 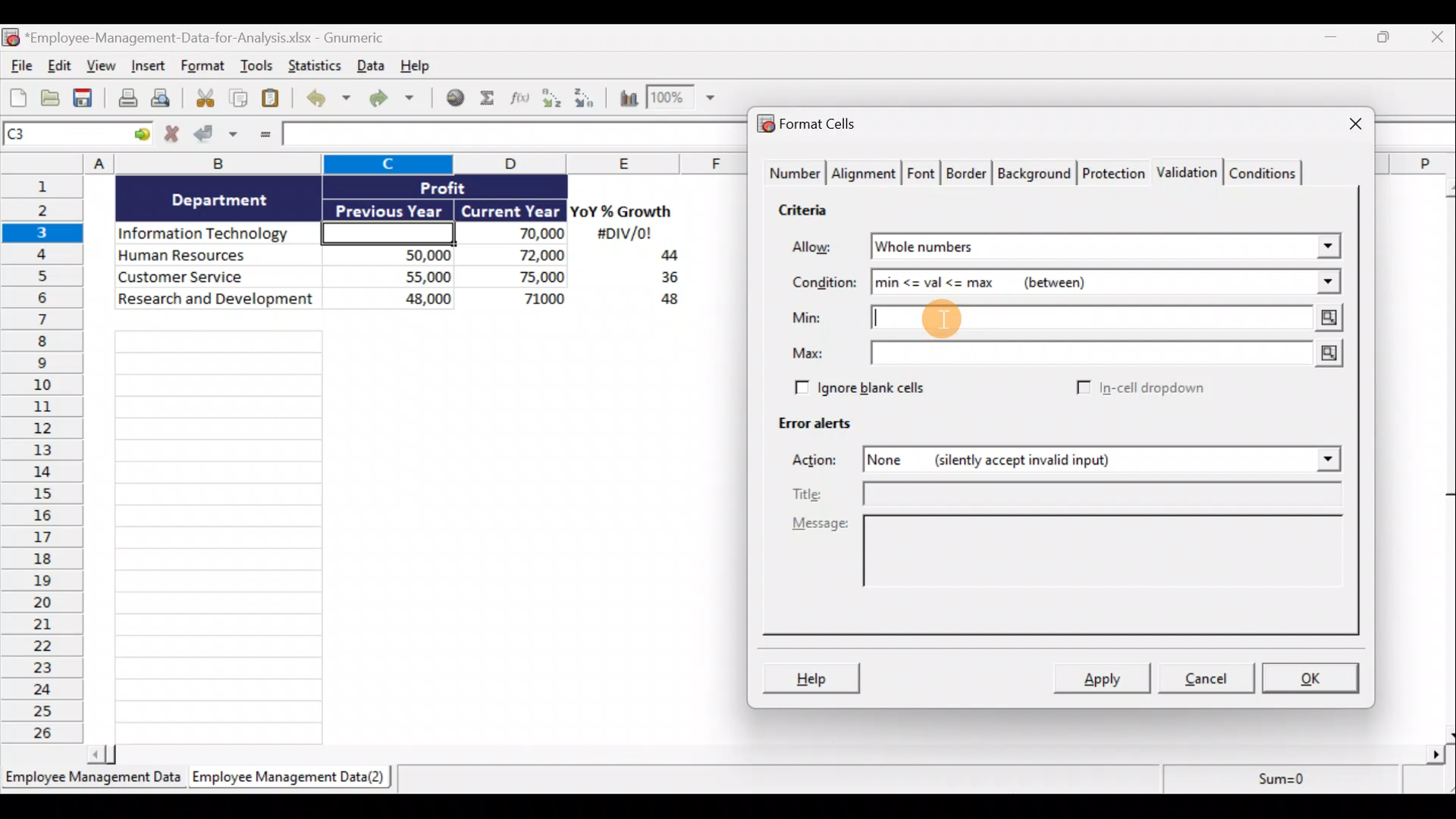 I want to click on YoY% Growth, so click(x=622, y=212).